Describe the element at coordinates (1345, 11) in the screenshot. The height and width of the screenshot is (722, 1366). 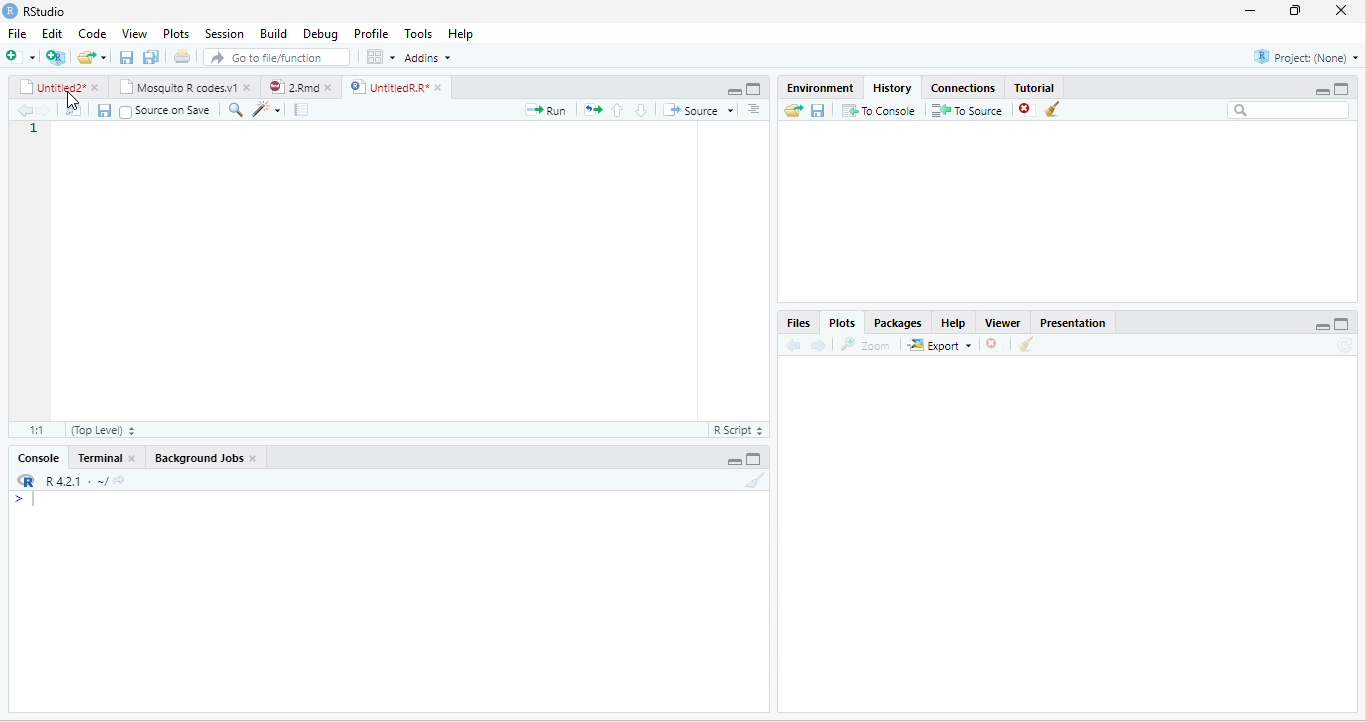
I see `close` at that location.